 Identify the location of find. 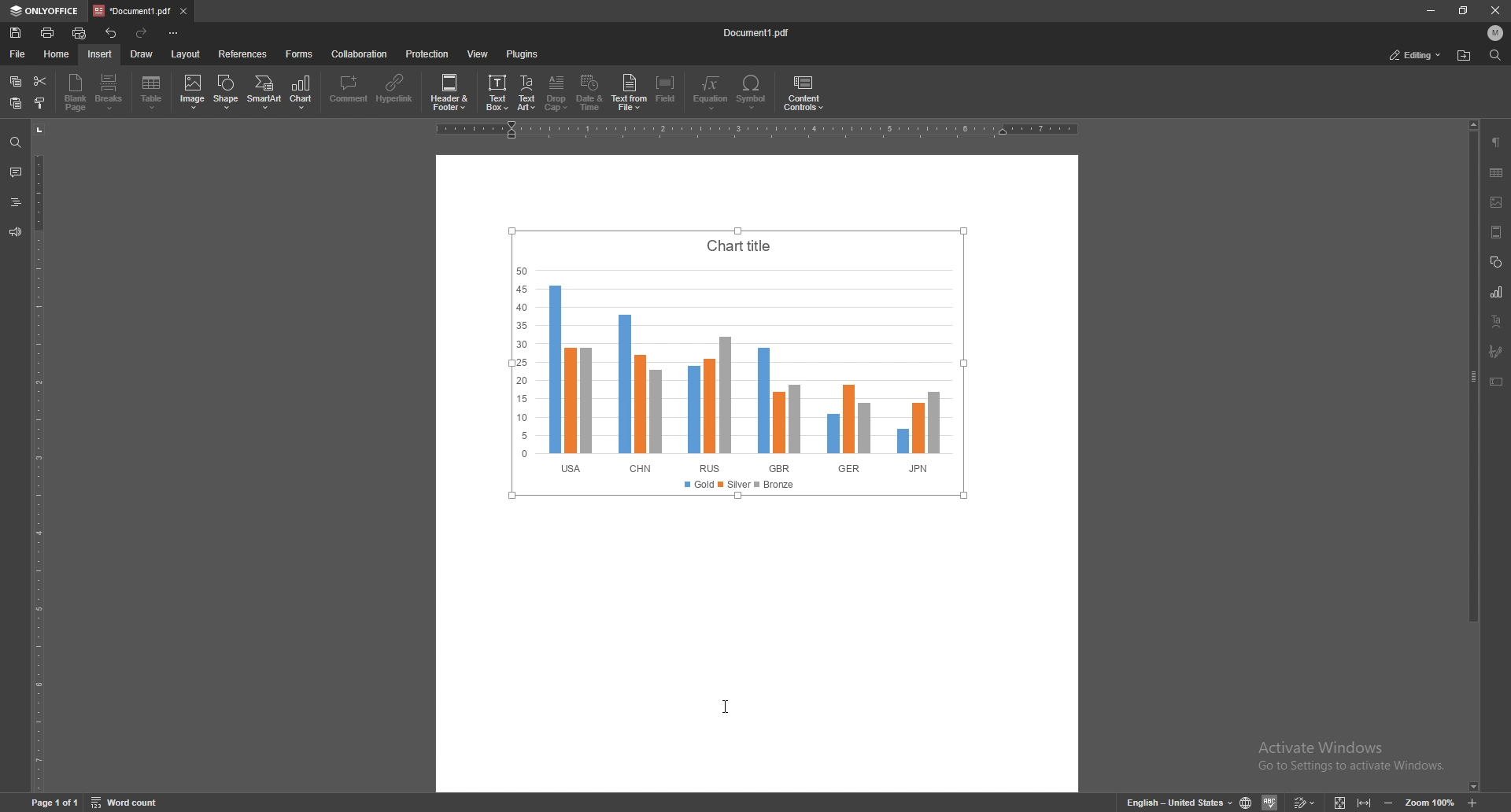
(1496, 56).